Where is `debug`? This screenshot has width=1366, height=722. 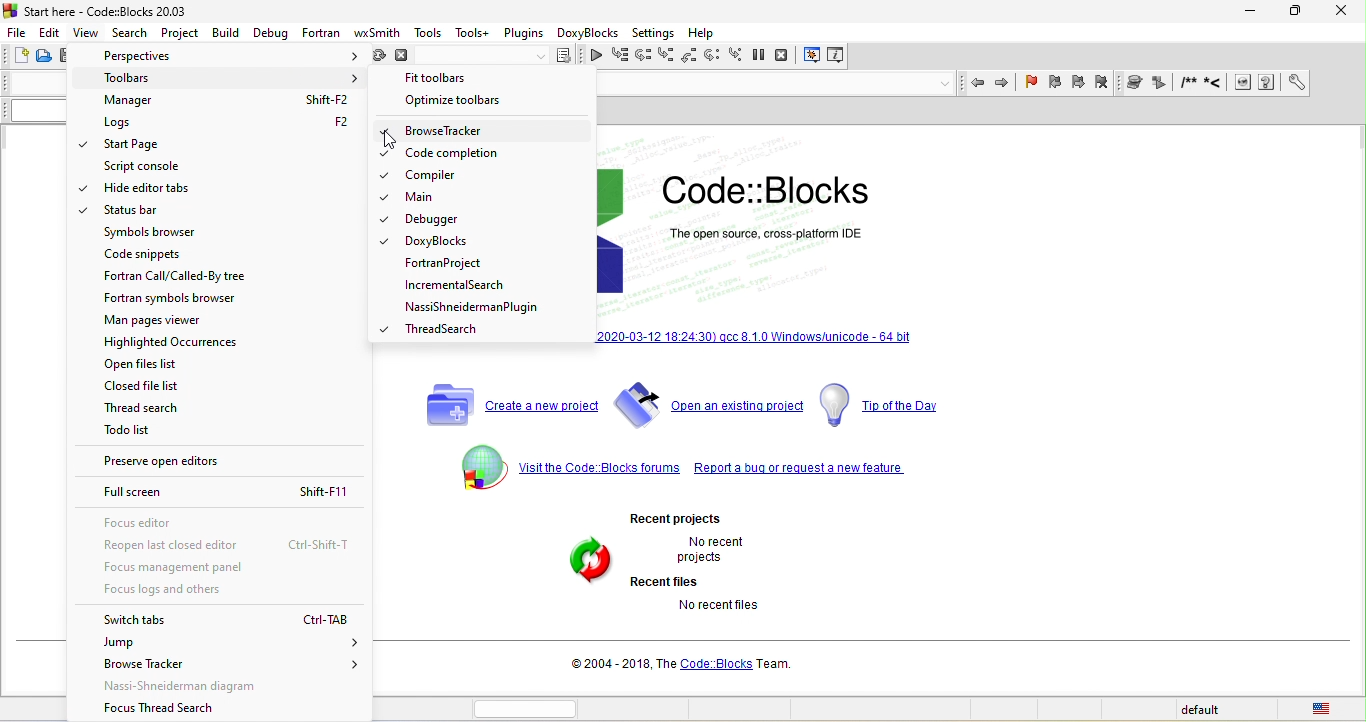
debug is located at coordinates (267, 32).